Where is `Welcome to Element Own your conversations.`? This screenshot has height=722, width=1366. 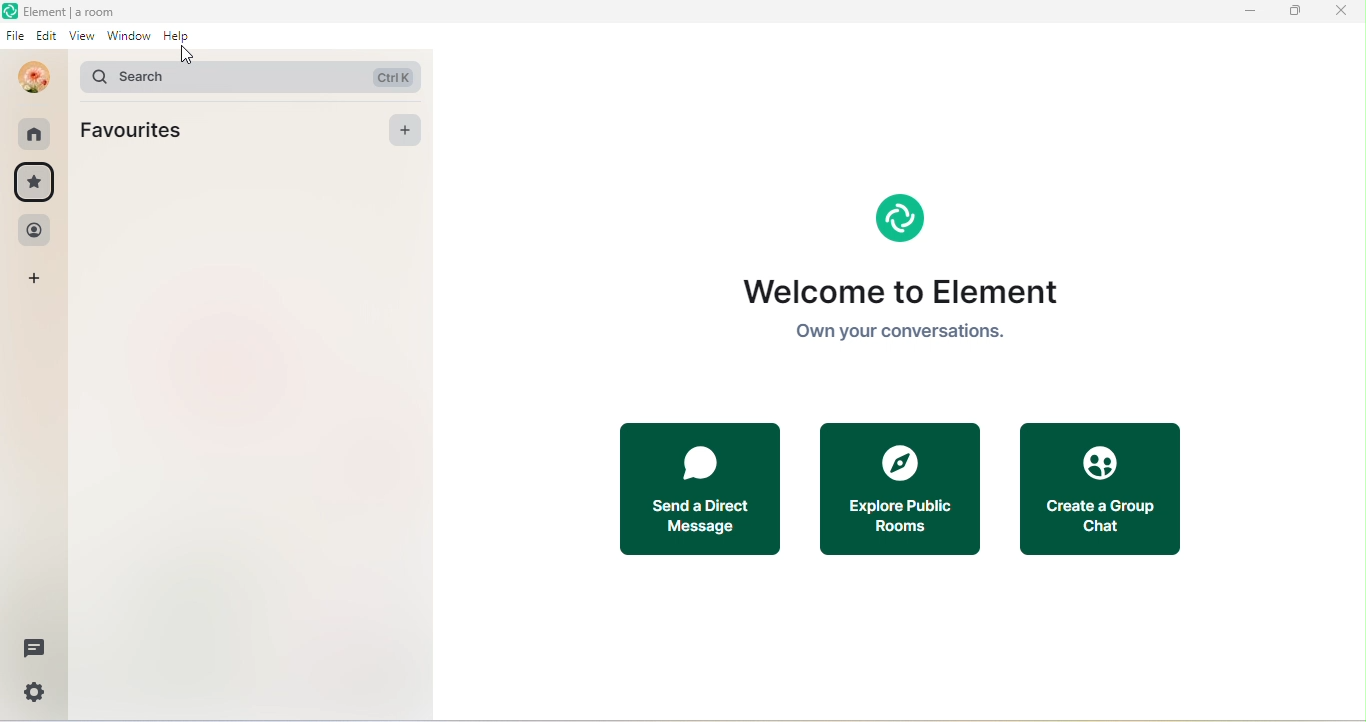
Welcome to Element Own your conversations. is located at coordinates (897, 278).